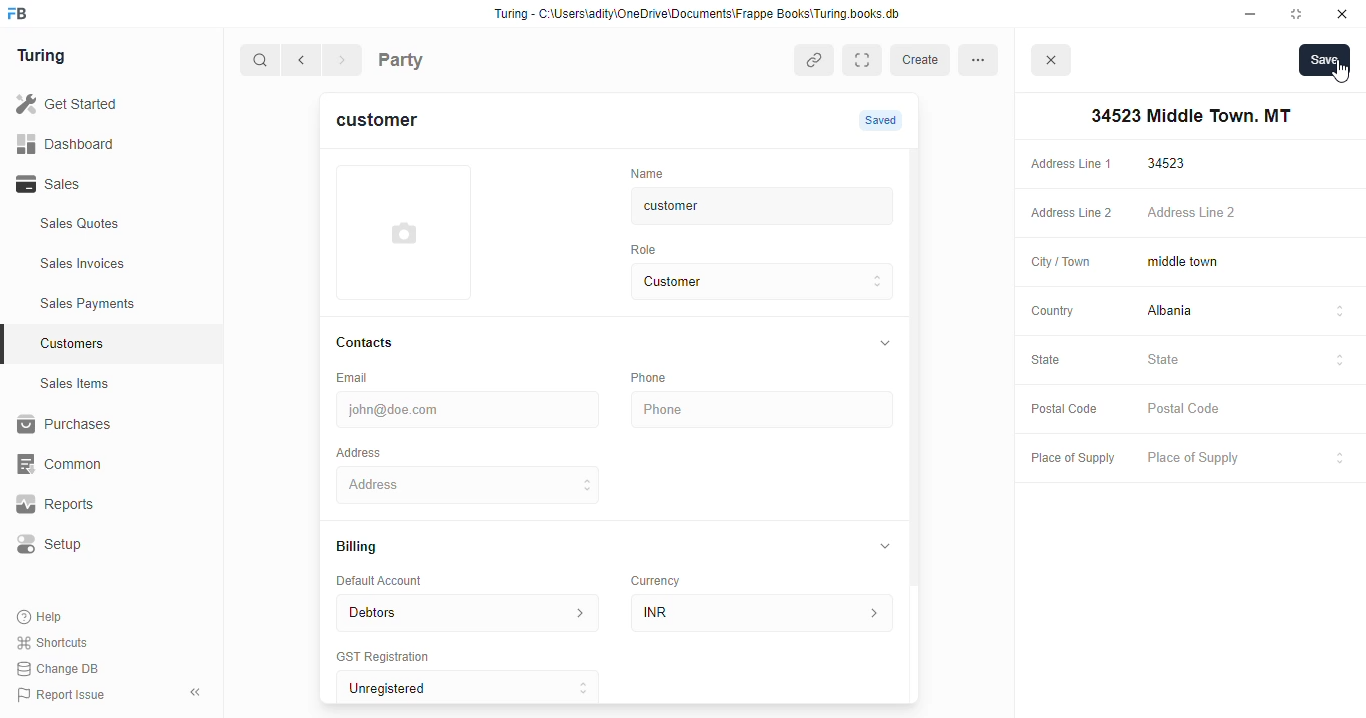 Image resolution: width=1366 pixels, height=718 pixels. What do you see at coordinates (1249, 163) in the screenshot?
I see `34523` at bounding box center [1249, 163].